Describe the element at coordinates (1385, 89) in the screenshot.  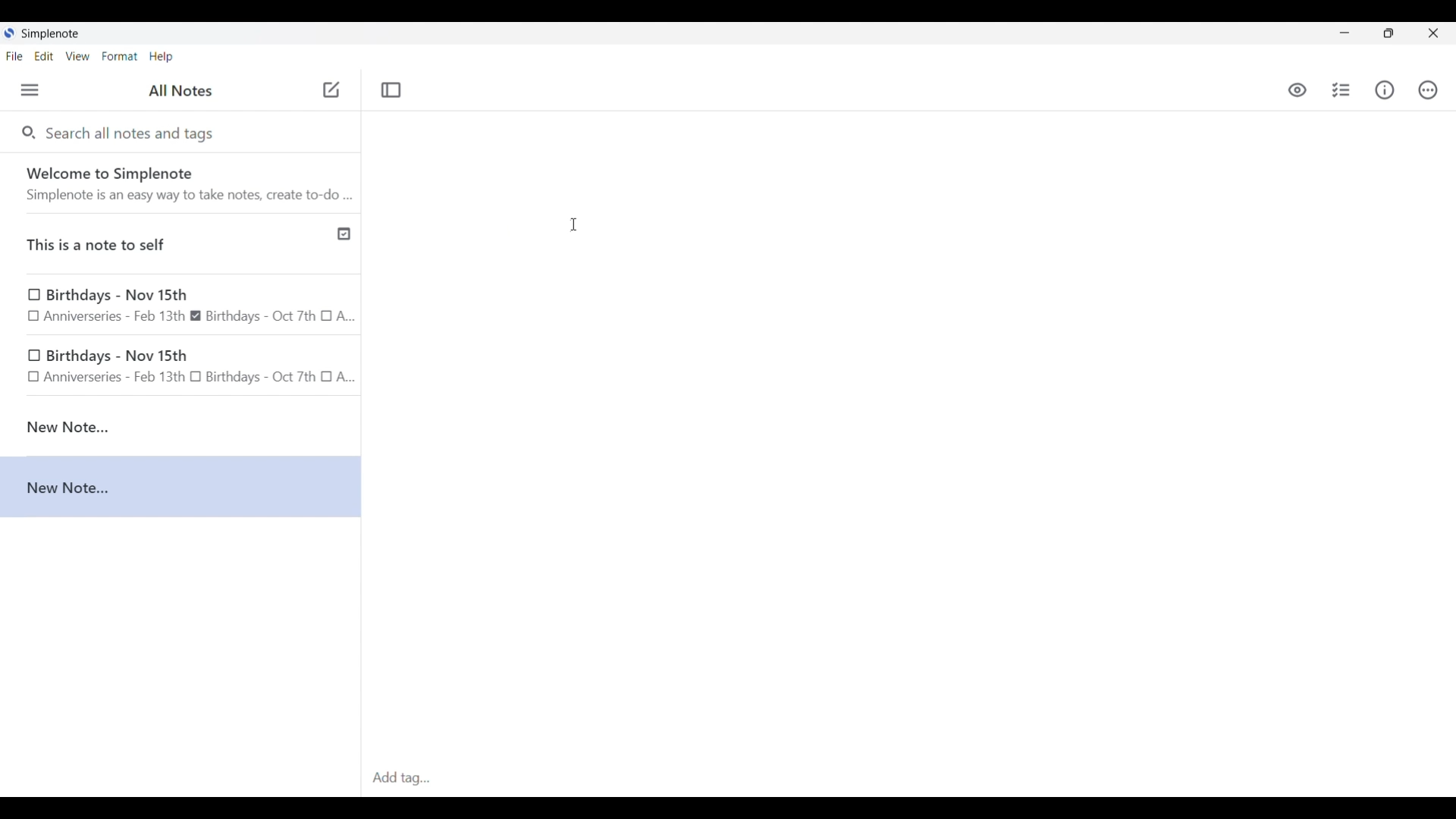
I see `Info` at that location.